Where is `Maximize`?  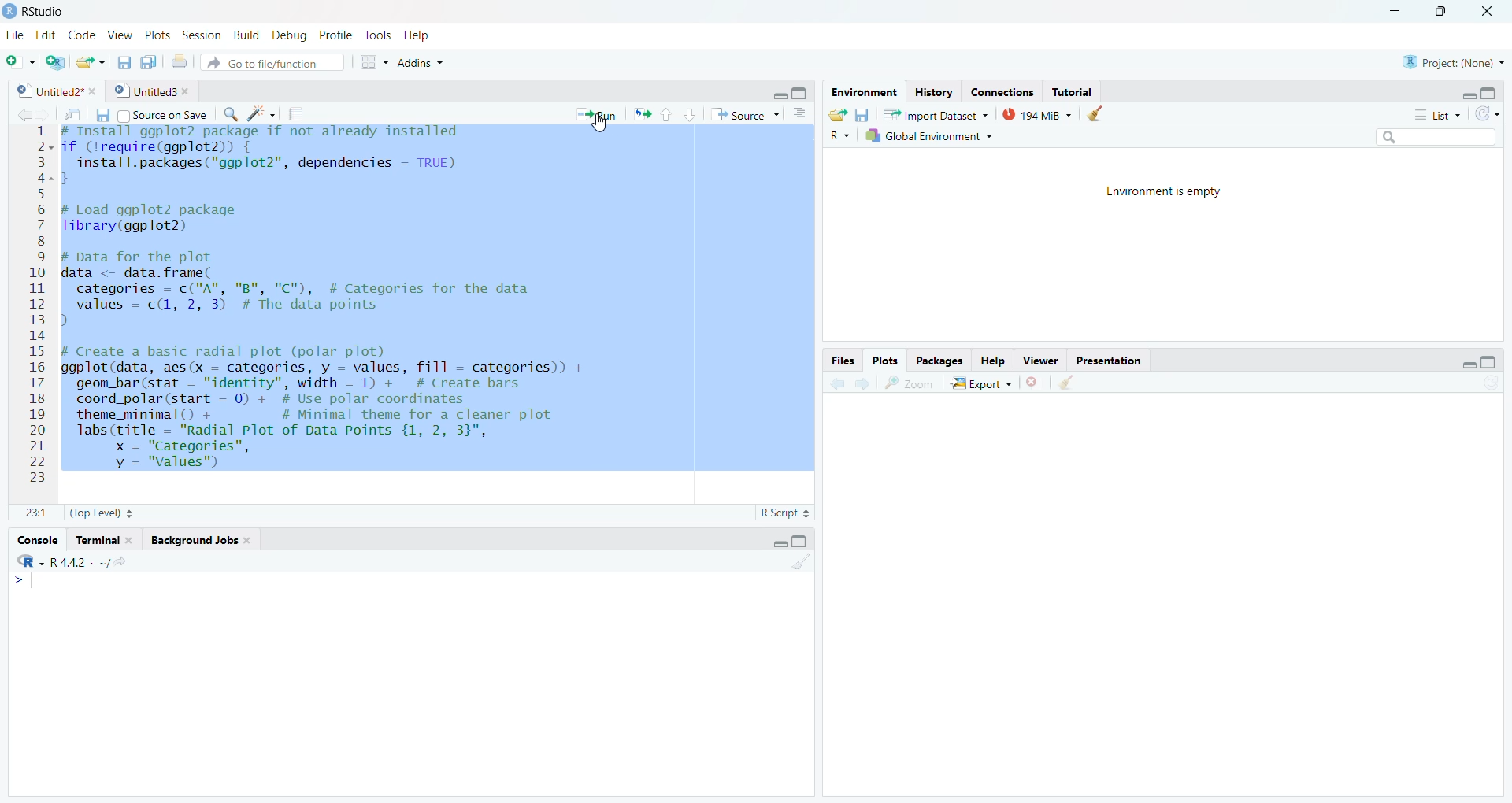
Maximize is located at coordinates (1440, 12).